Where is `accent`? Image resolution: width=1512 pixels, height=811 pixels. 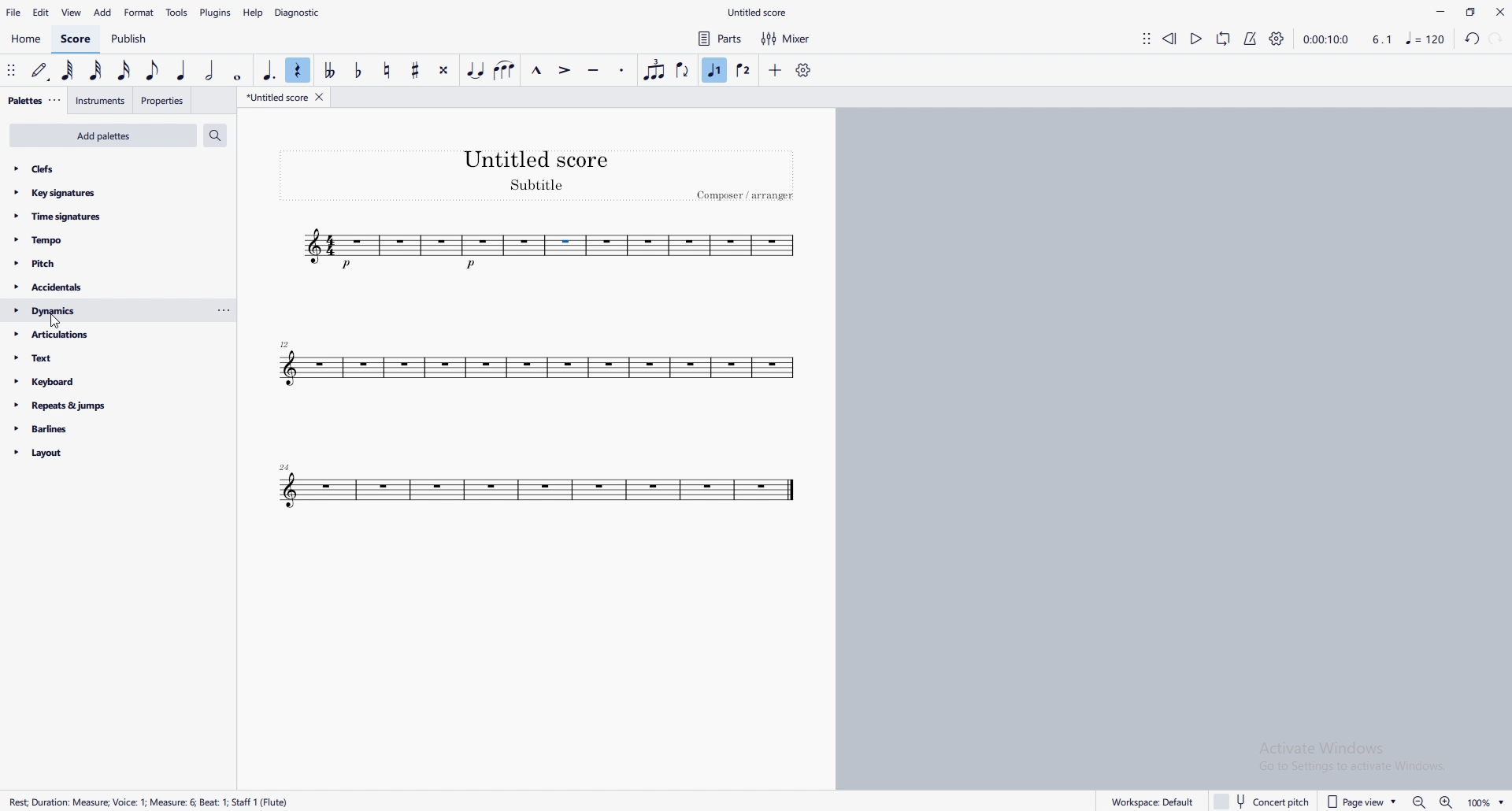 accent is located at coordinates (566, 70).